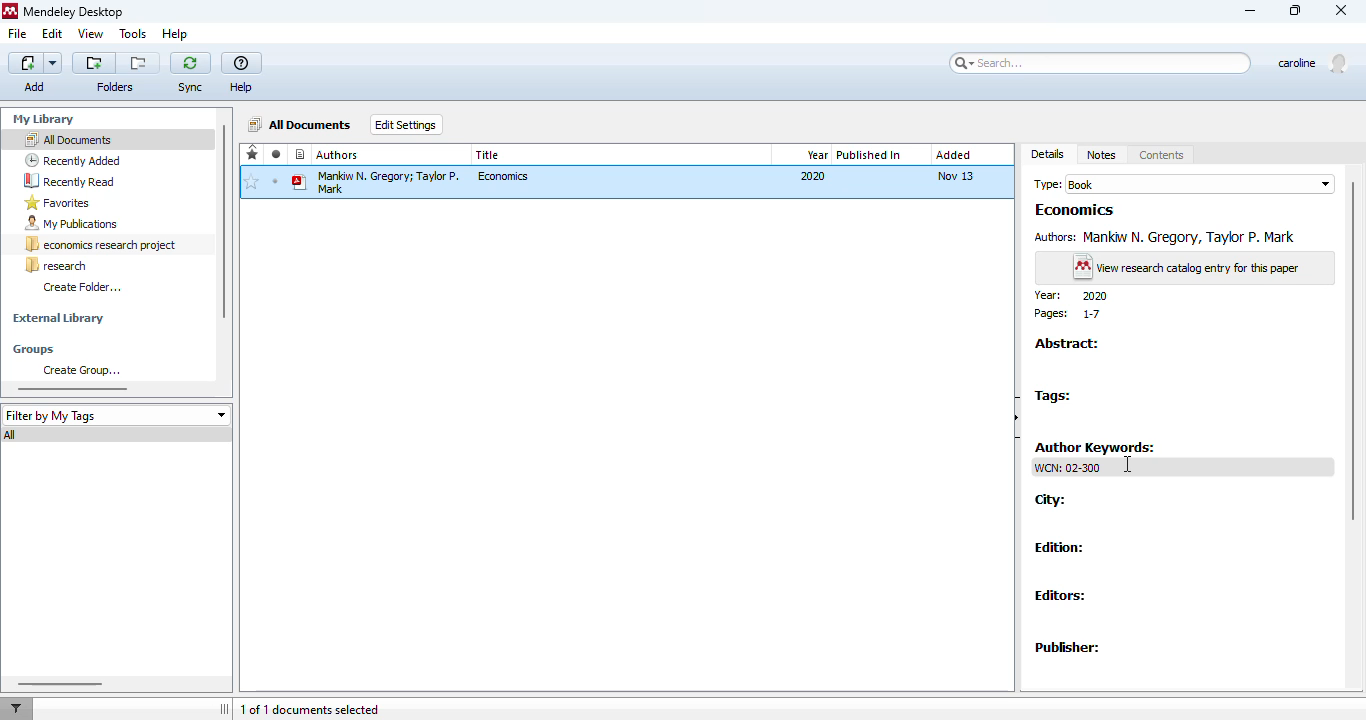  I want to click on vertical scroll bar, so click(1354, 351).